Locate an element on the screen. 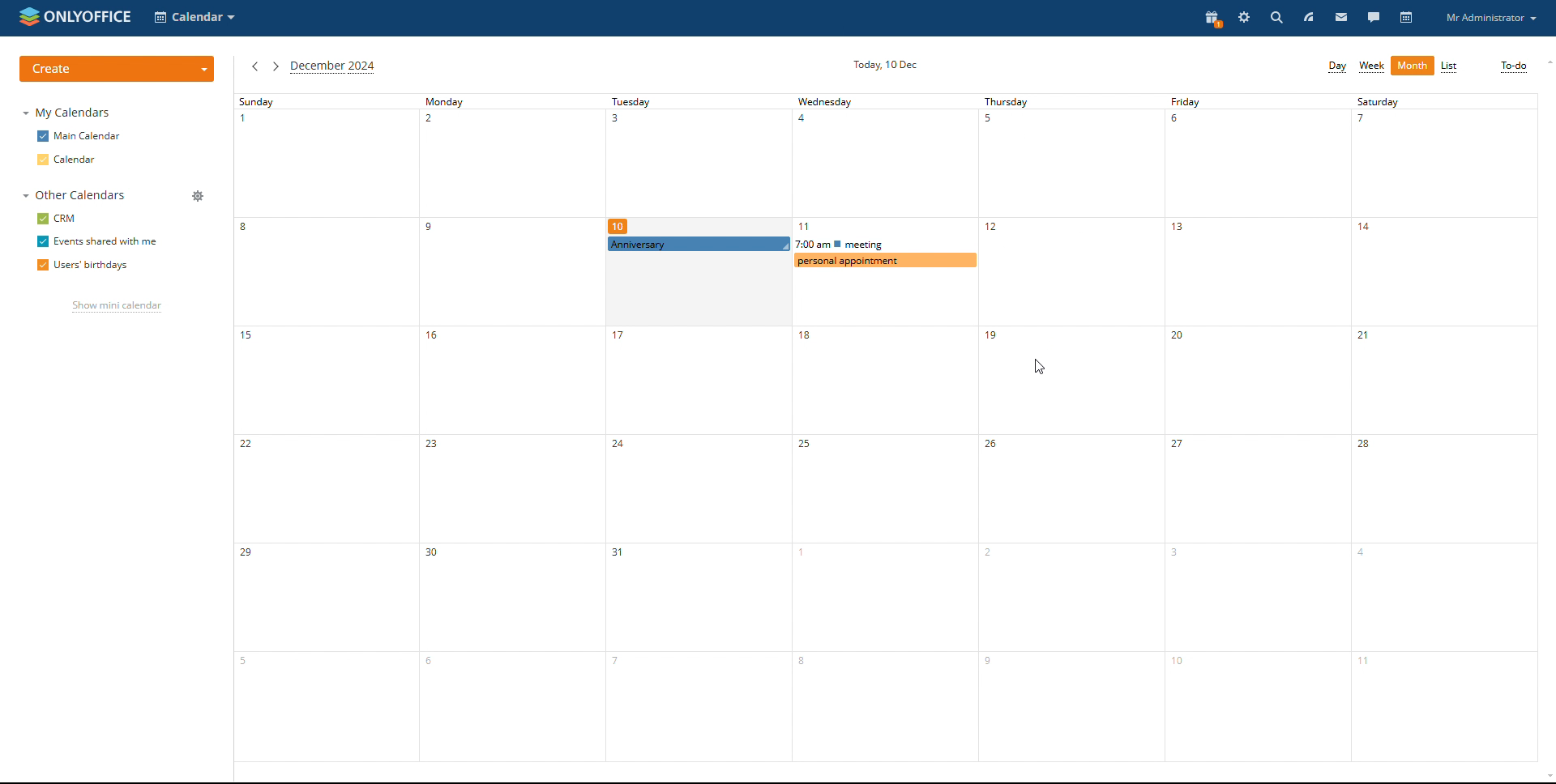  month view is located at coordinates (1413, 66).